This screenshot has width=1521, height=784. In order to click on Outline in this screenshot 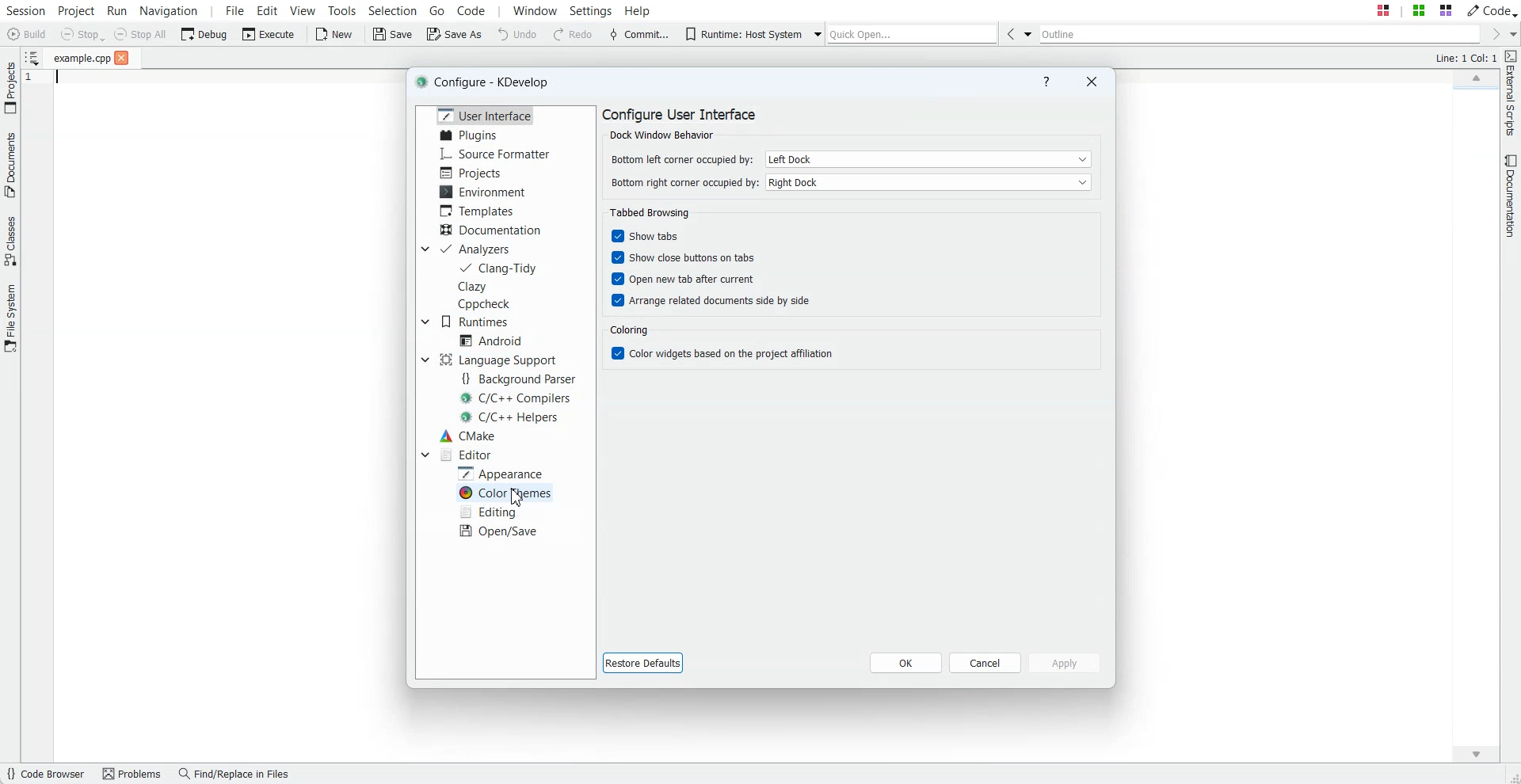, I will do `click(1258, 34)`.